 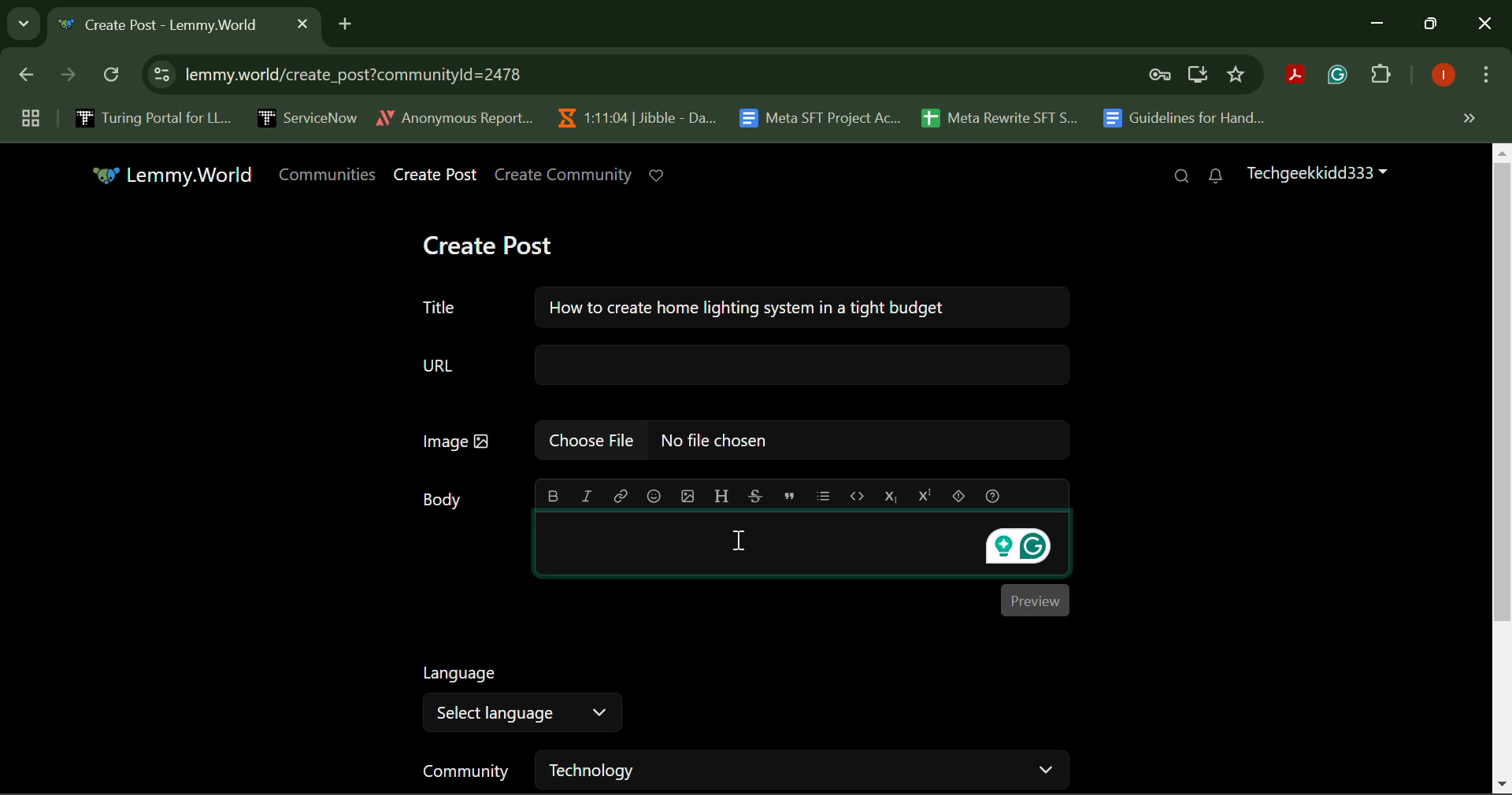 What do you see at coordinates (1197, 76) in the screenshot?
I see `Install Desktop Application` at bounding box center [1197, 76].